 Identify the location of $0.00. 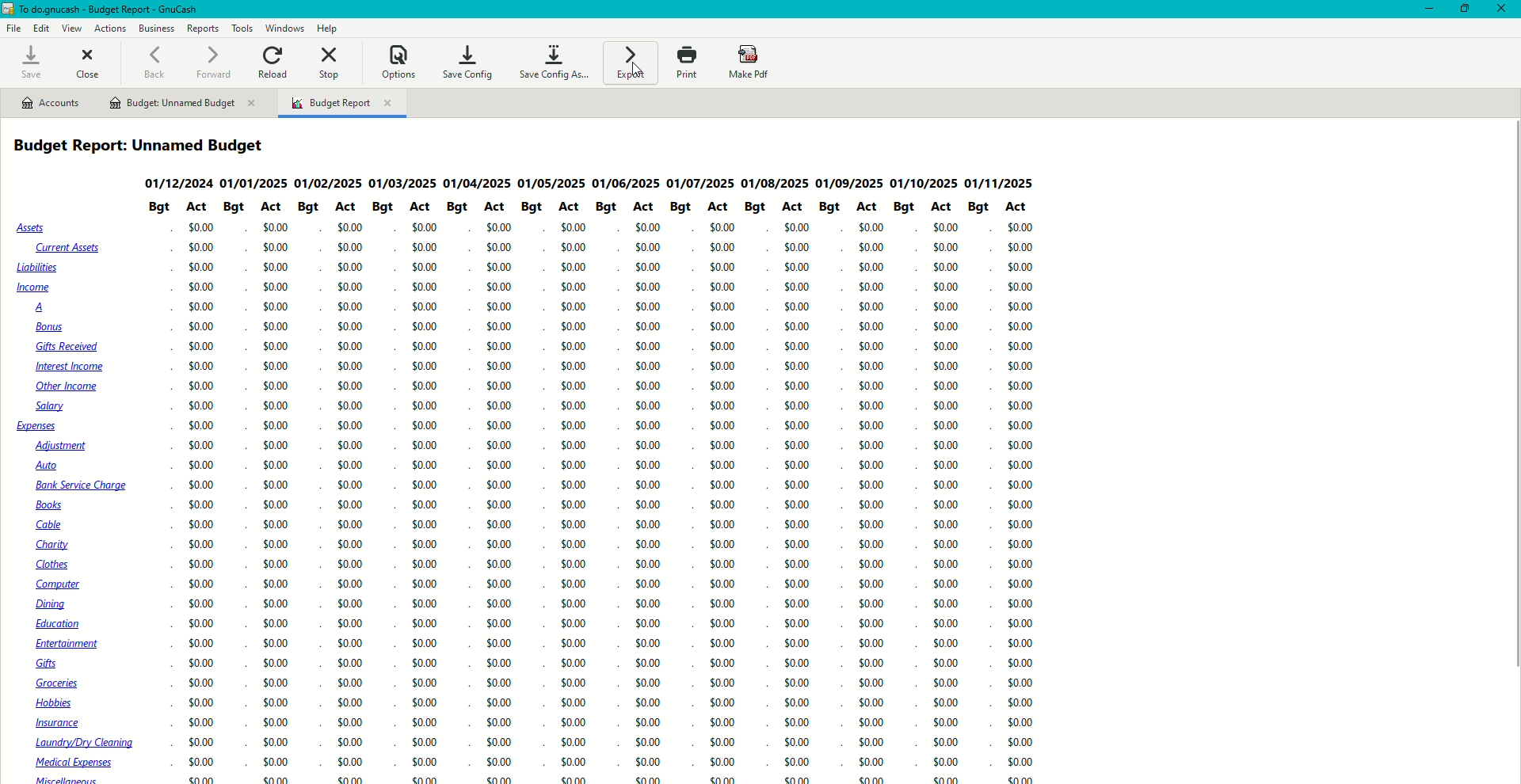
(575, 585).